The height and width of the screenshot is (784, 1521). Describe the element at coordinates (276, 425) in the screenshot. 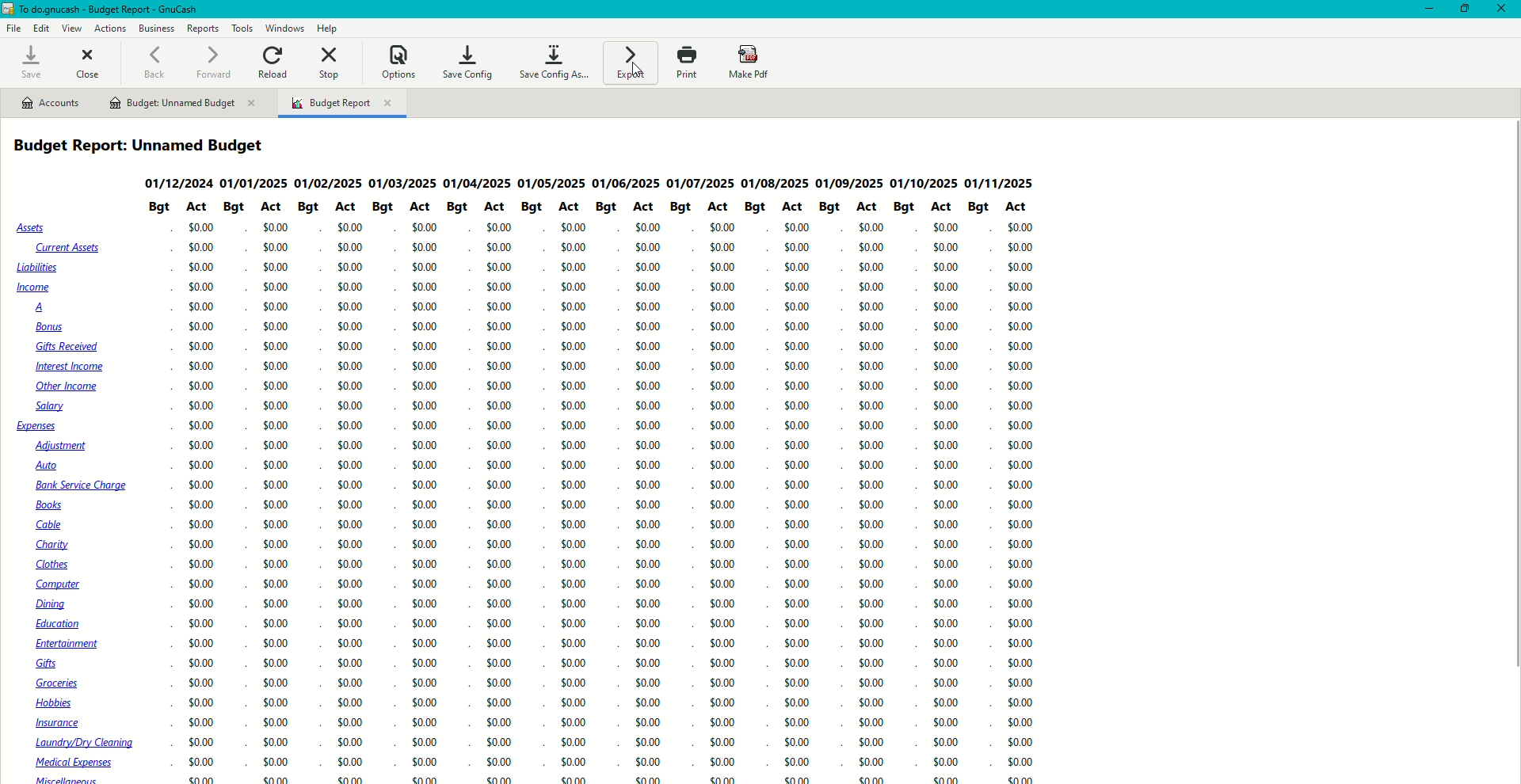

I see `0.00` at that location.